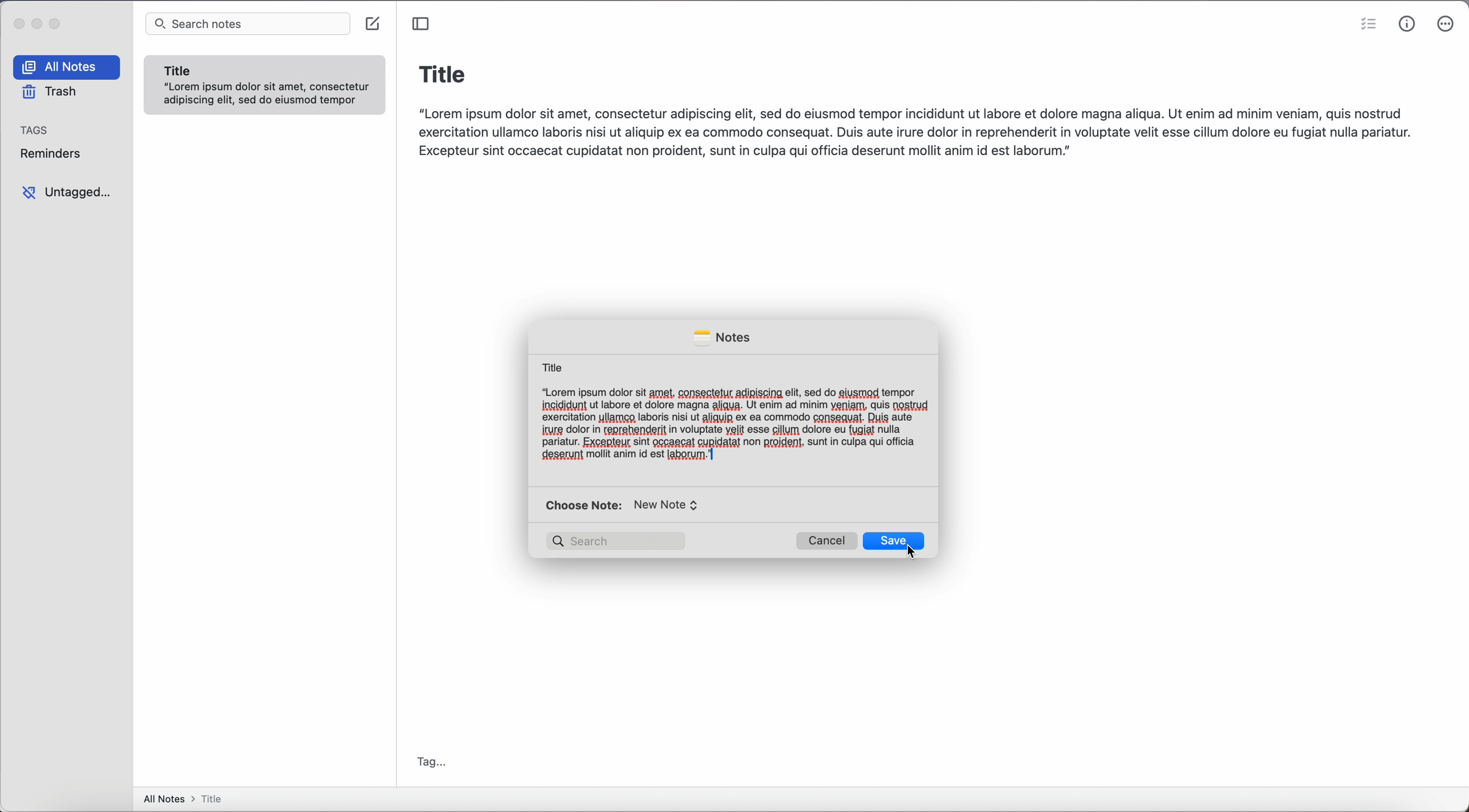 This screenshot has width=1469, height=812. What do you see at coordinates (48, 92) in the screenshot?
I see `trash` at bounding box center [48, 92].